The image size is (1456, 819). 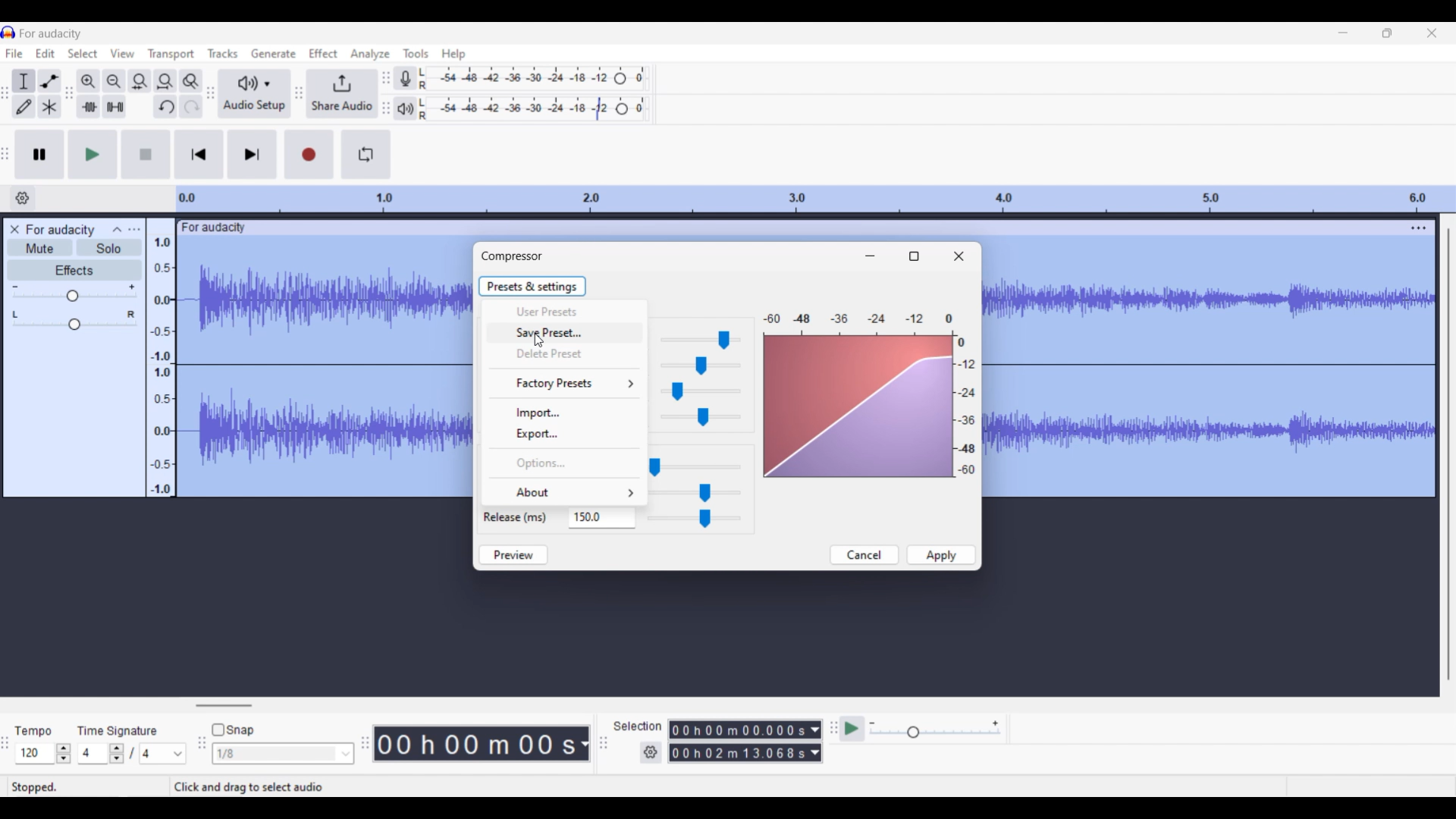 What do you see at coordinates (8, 33) in the screenshot?
I see `Software logo` at bounding box center [8, 33].